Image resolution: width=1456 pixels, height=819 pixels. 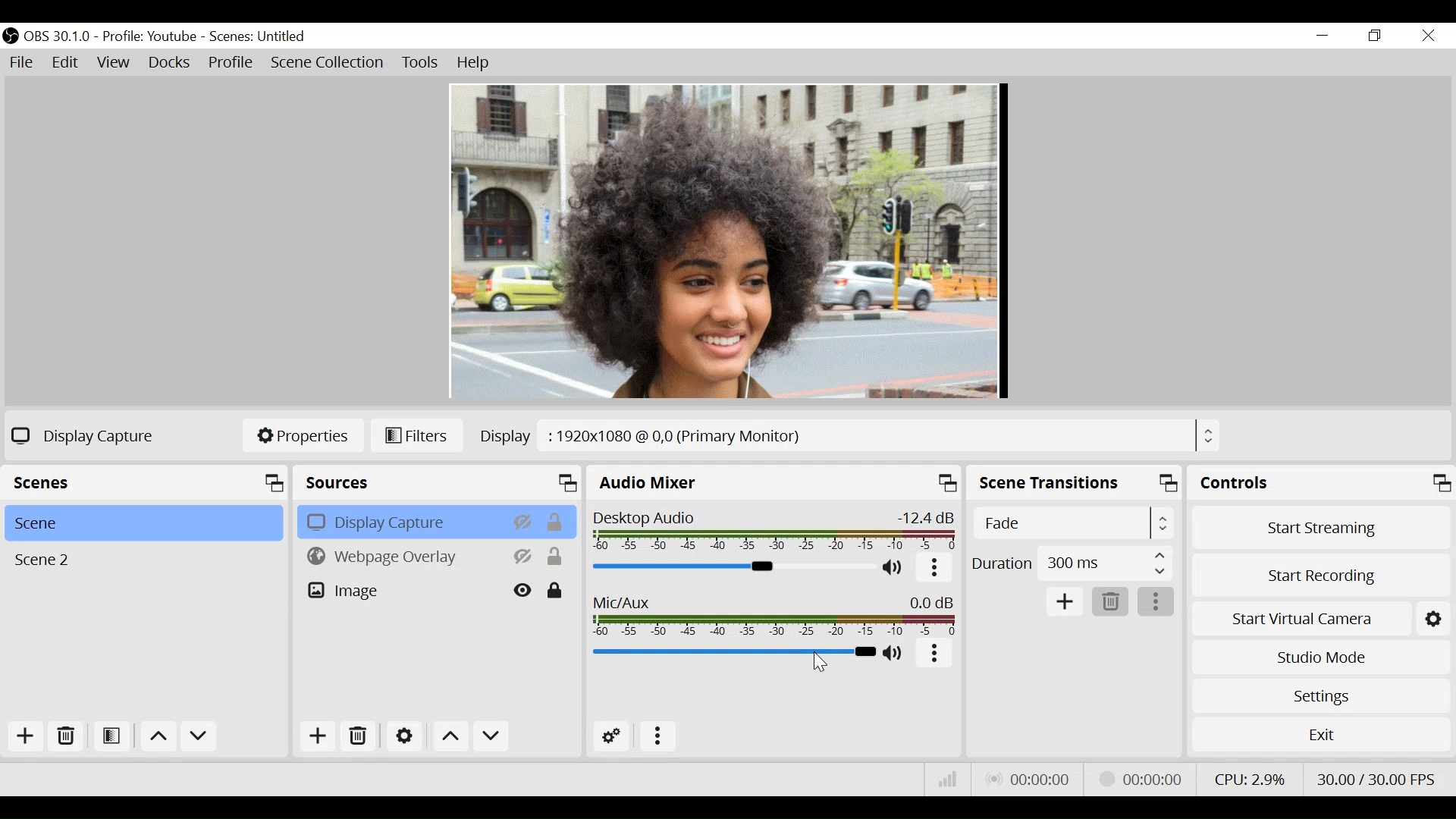 I want to click on Scene, so click(x=140, y=523).